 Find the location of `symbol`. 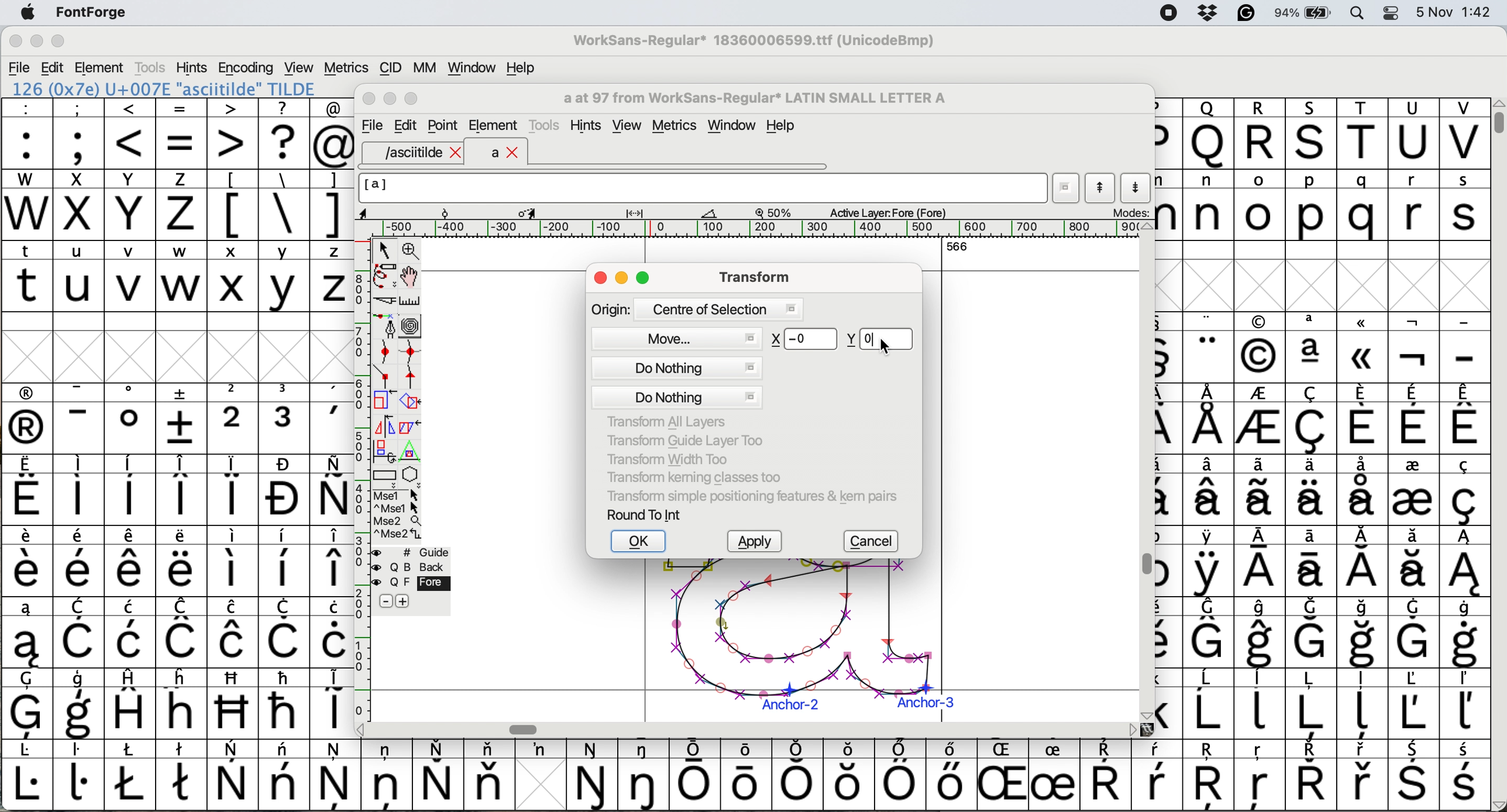

symbol is located at coordinates (130, 418).